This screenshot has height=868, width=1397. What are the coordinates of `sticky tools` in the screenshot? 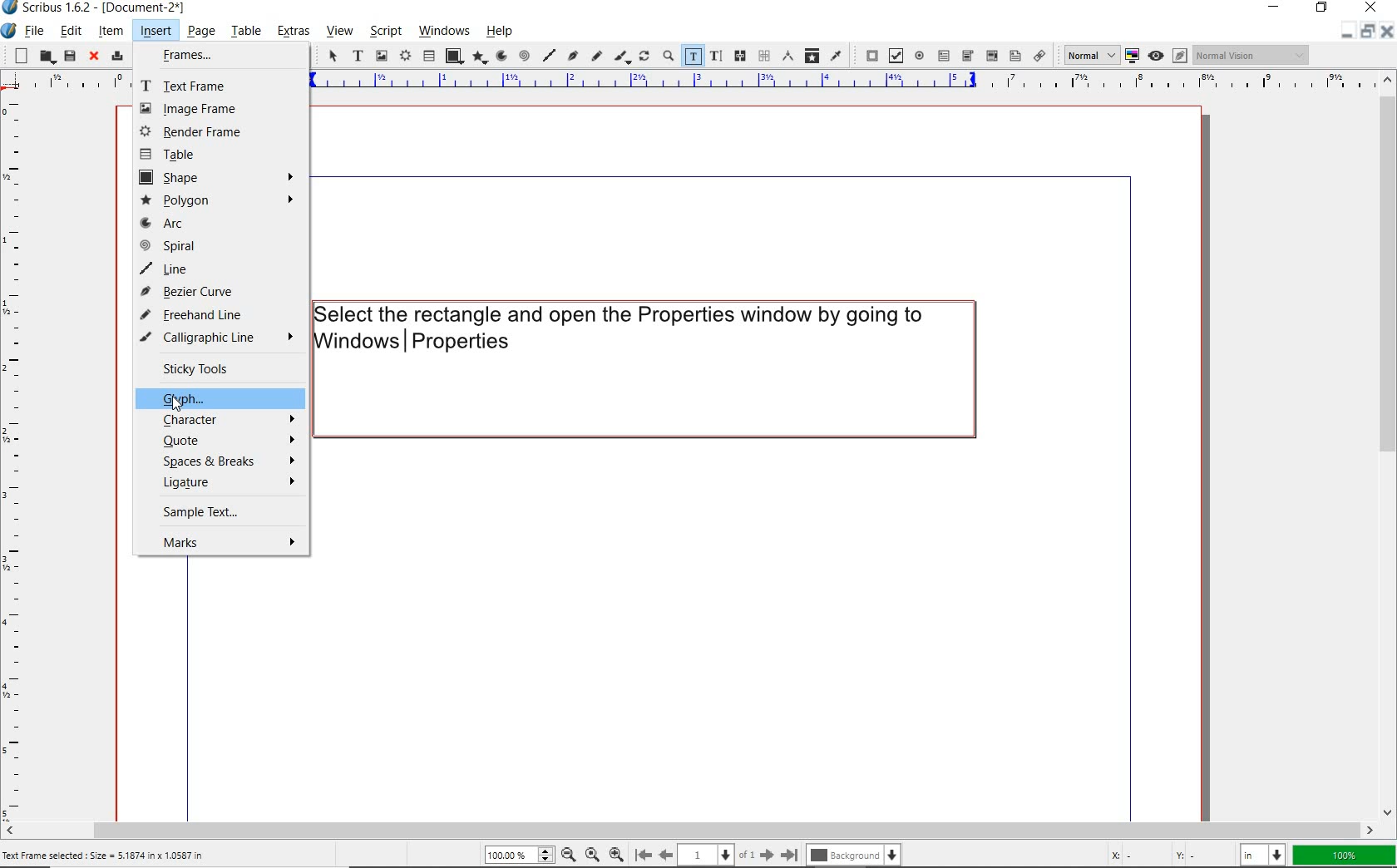 It's located at (216, 369).